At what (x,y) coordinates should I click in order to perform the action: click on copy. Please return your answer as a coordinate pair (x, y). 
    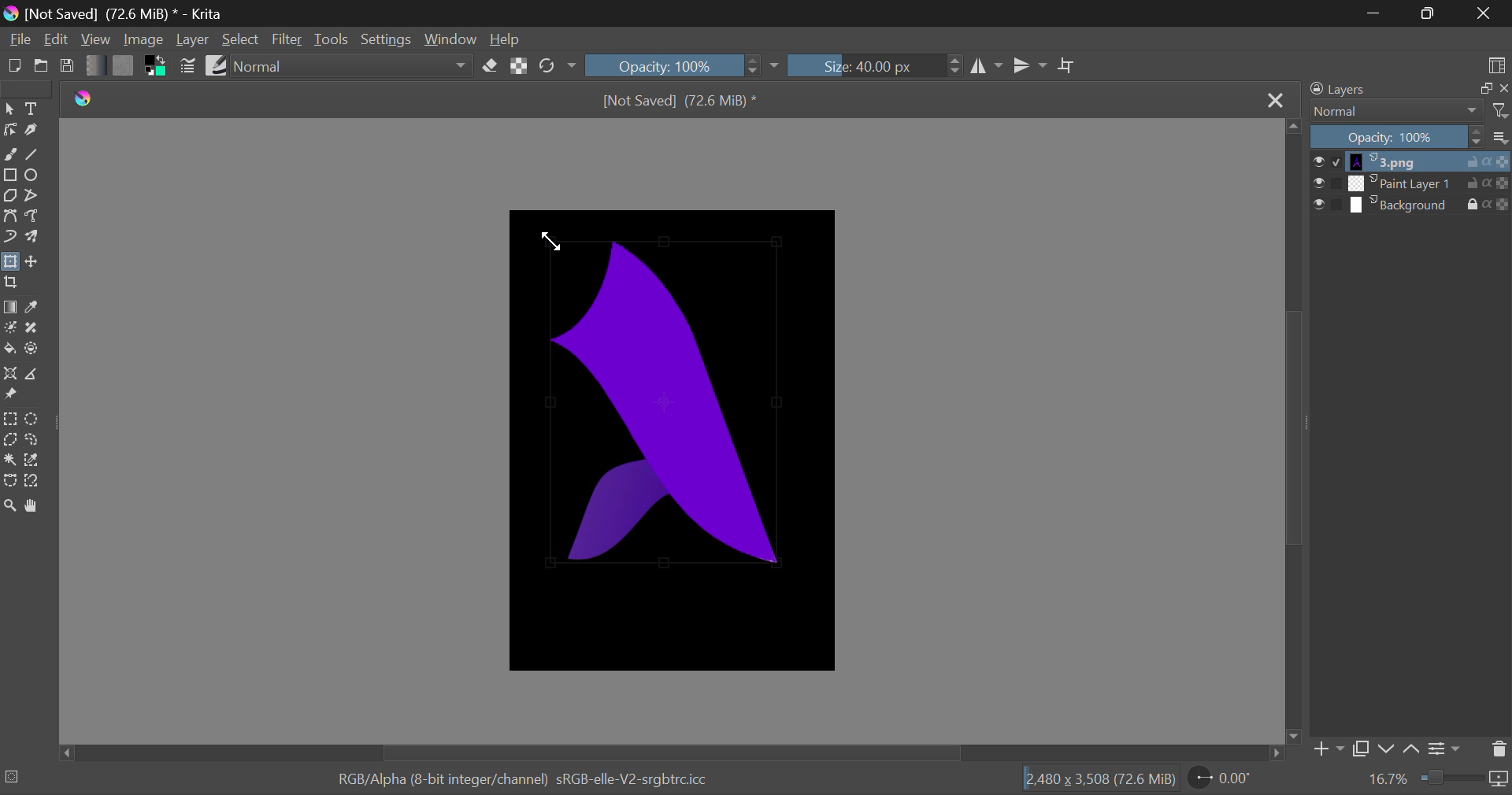
    Looking at the image, I should click on (1483, 89).